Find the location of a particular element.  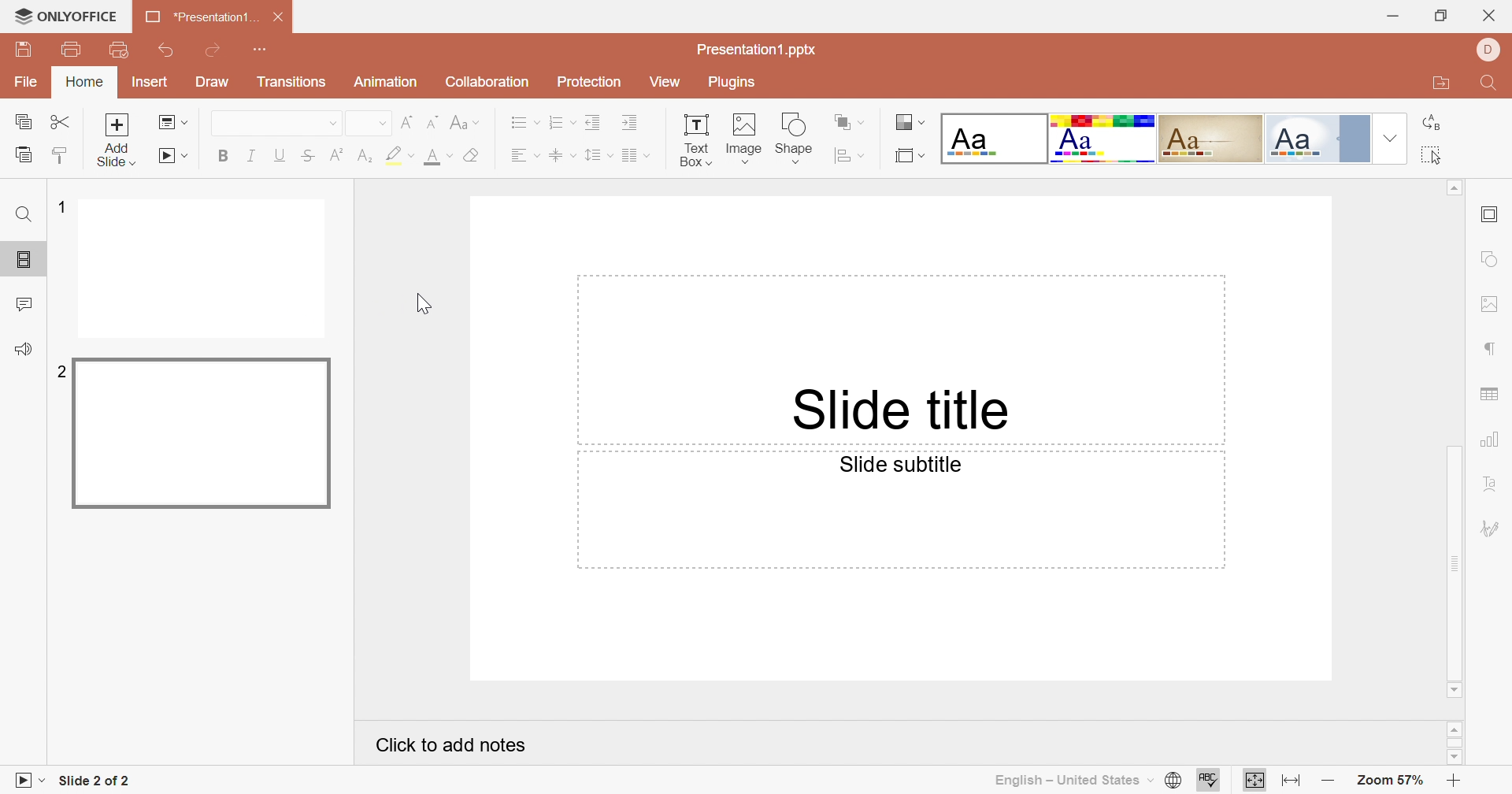

Scroll bar is located at coordinates (1458, 741).